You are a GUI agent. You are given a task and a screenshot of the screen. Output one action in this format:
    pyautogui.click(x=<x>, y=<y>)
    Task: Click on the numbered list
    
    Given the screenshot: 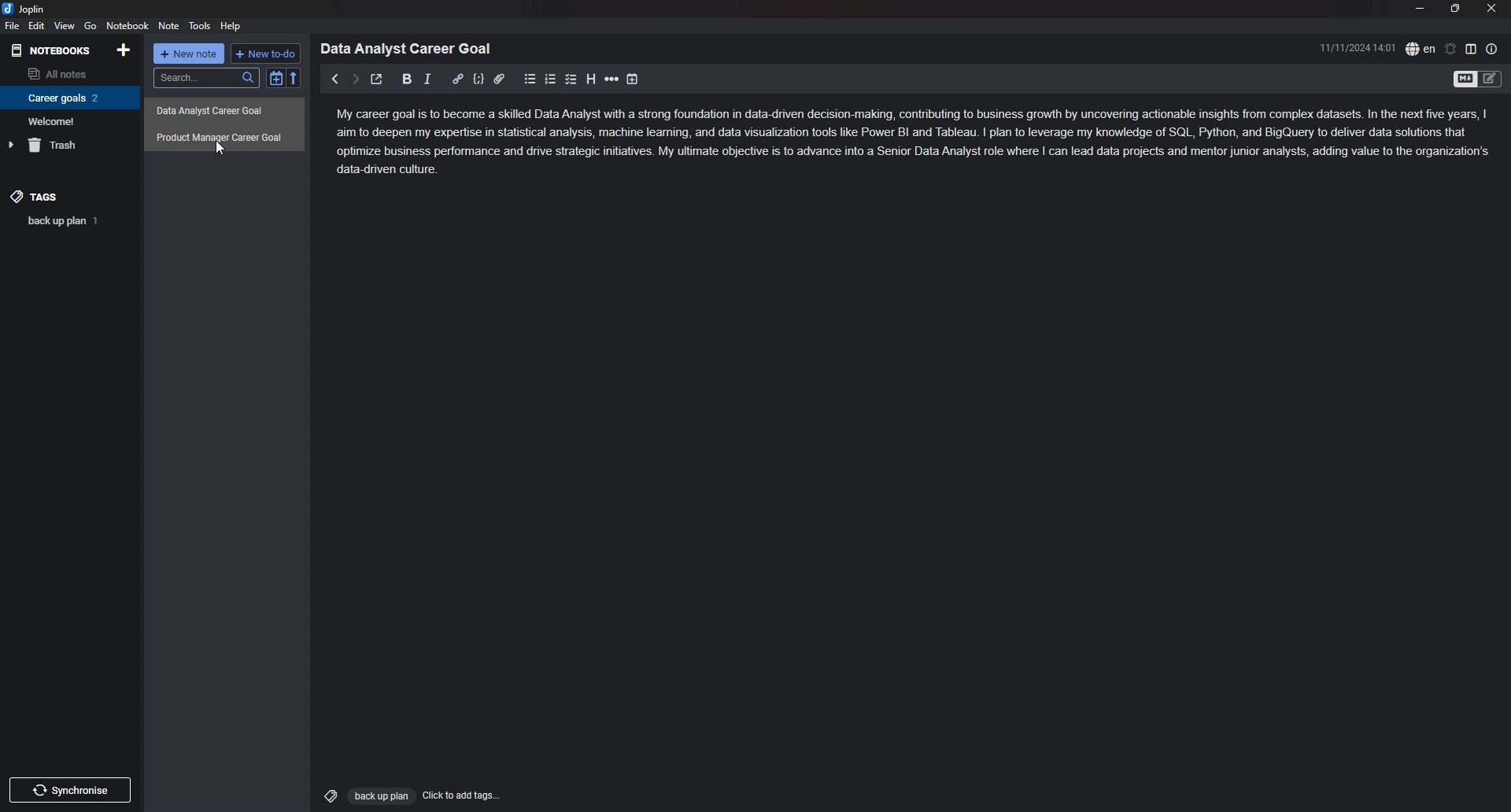 What is the action you would take?
    pyautogui.click(x=551, y=80)
    